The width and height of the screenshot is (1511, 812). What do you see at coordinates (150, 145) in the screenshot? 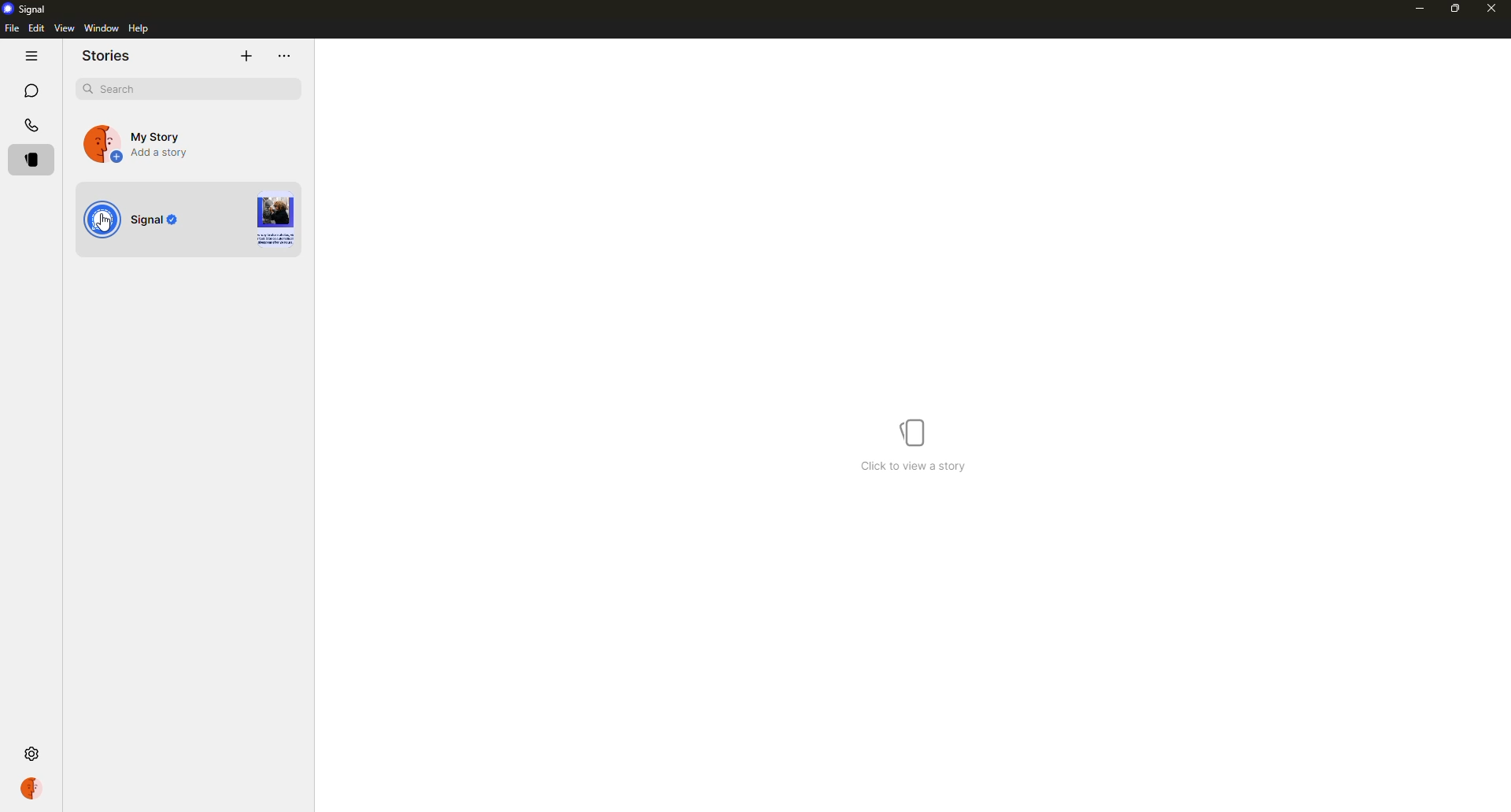
I see `add a story` at bounding box center [150, 145].